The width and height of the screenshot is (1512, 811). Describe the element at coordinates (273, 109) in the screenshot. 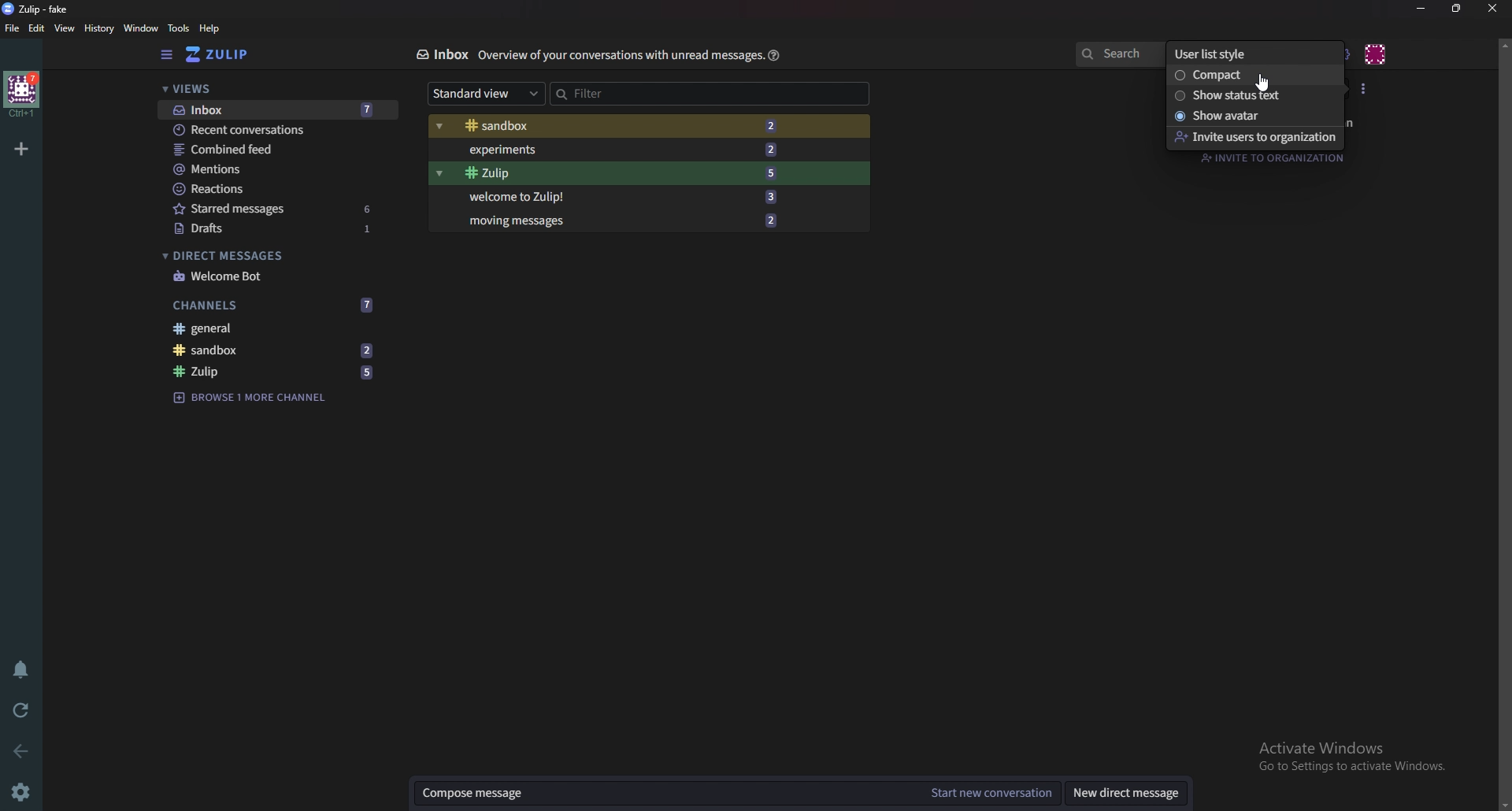

I see `Inbox` at that location.